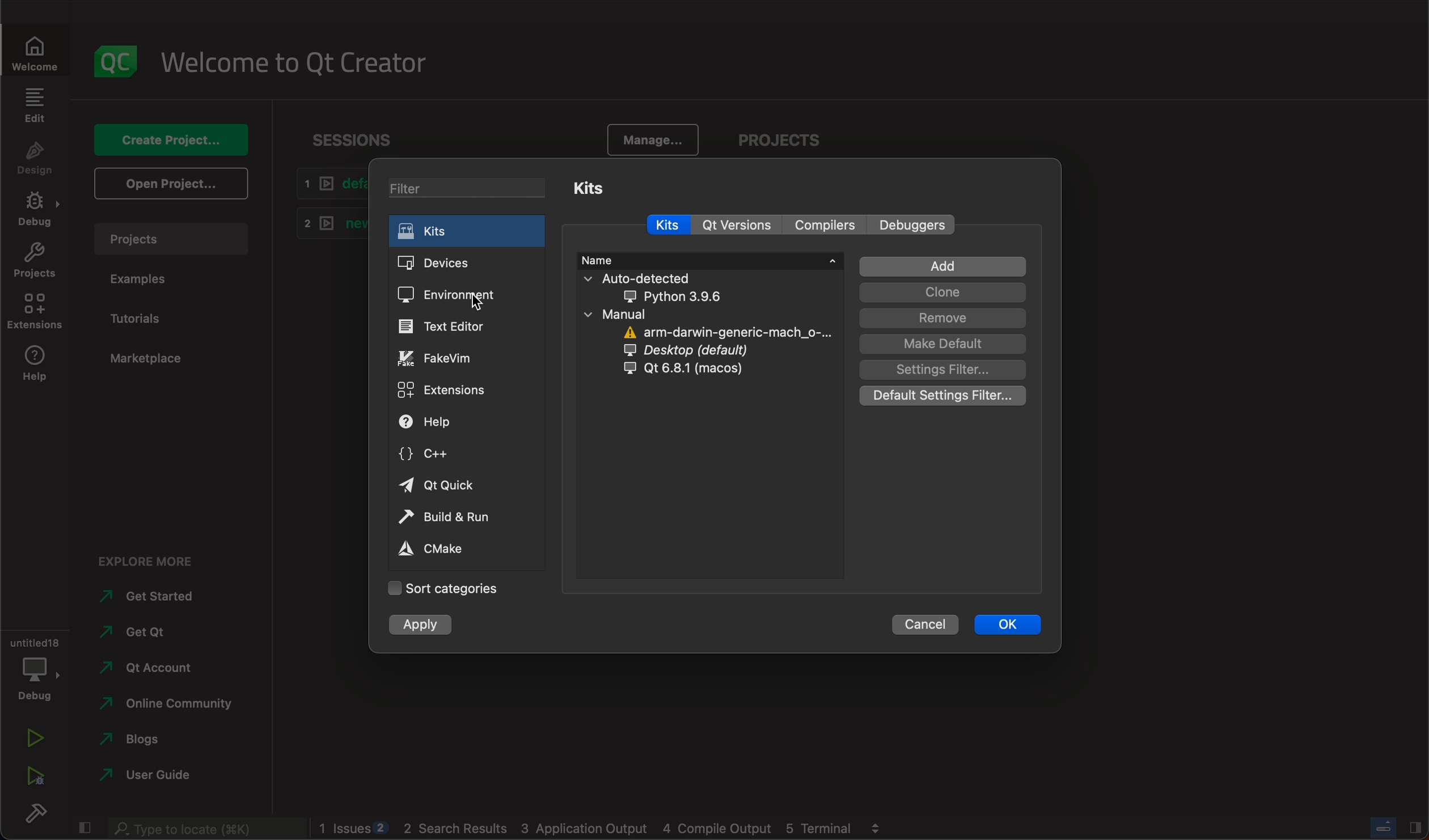 The height and width of the screenshot is (840, 1429). Describe the element at coordinates (144, 279) in the screenshot. I see `examples` at that location.